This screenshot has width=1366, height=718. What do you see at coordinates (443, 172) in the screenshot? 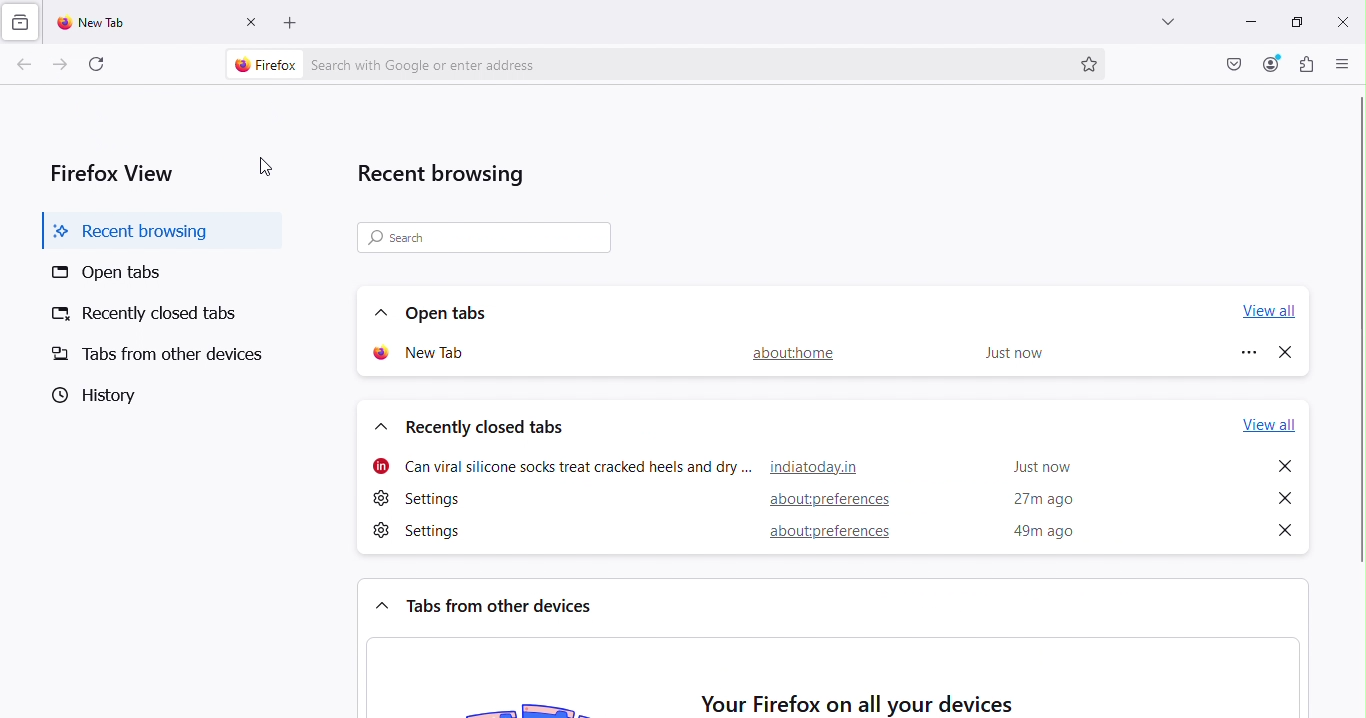
I see `Recent browsing` at bounding box center [443, 172].